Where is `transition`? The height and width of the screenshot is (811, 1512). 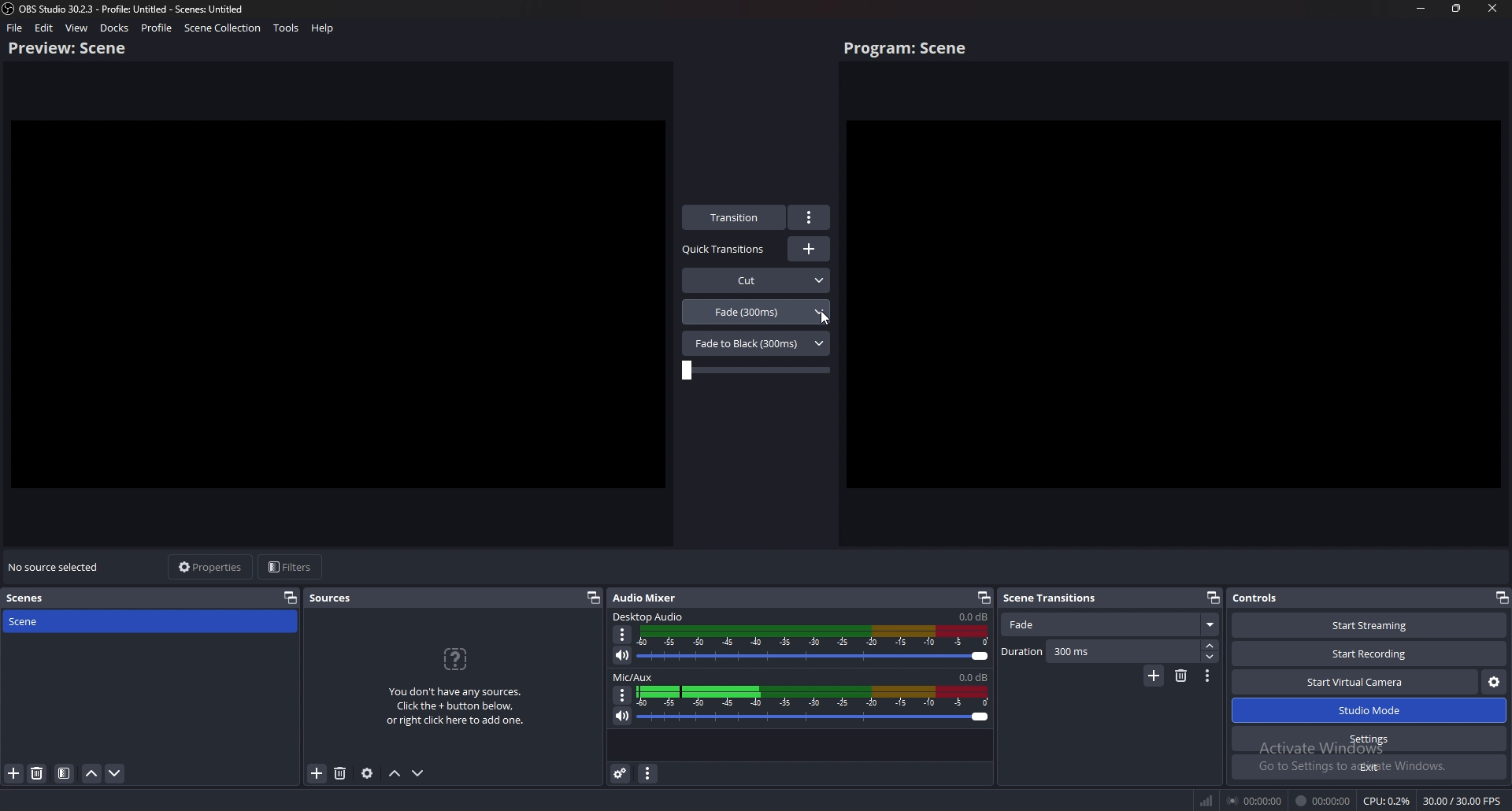
transition is located at coordinates (736, 217).